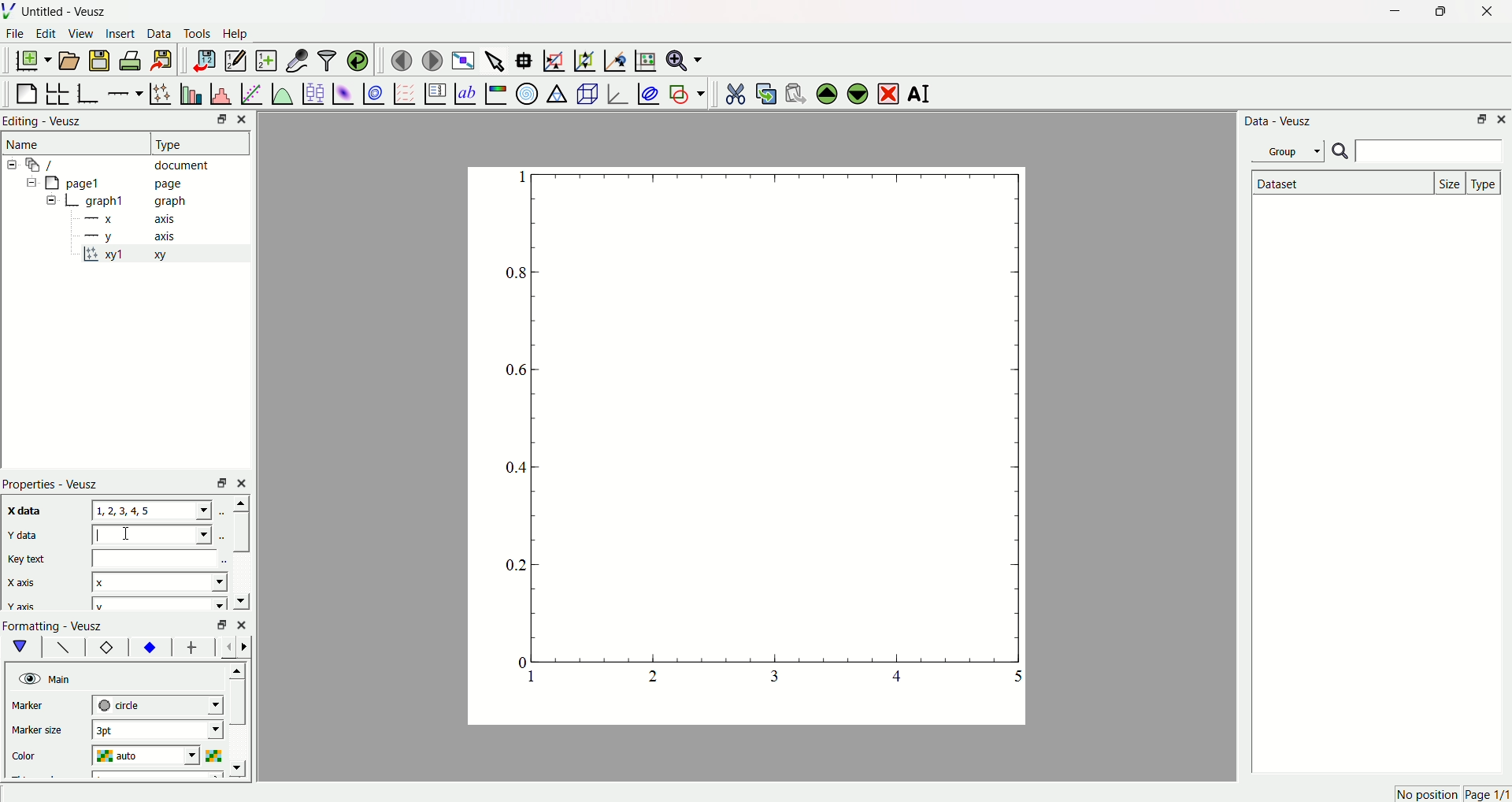  What do you see at coordinates (35, 61) in the screenshot?
I see `new document` at bounding box center [35, 61].